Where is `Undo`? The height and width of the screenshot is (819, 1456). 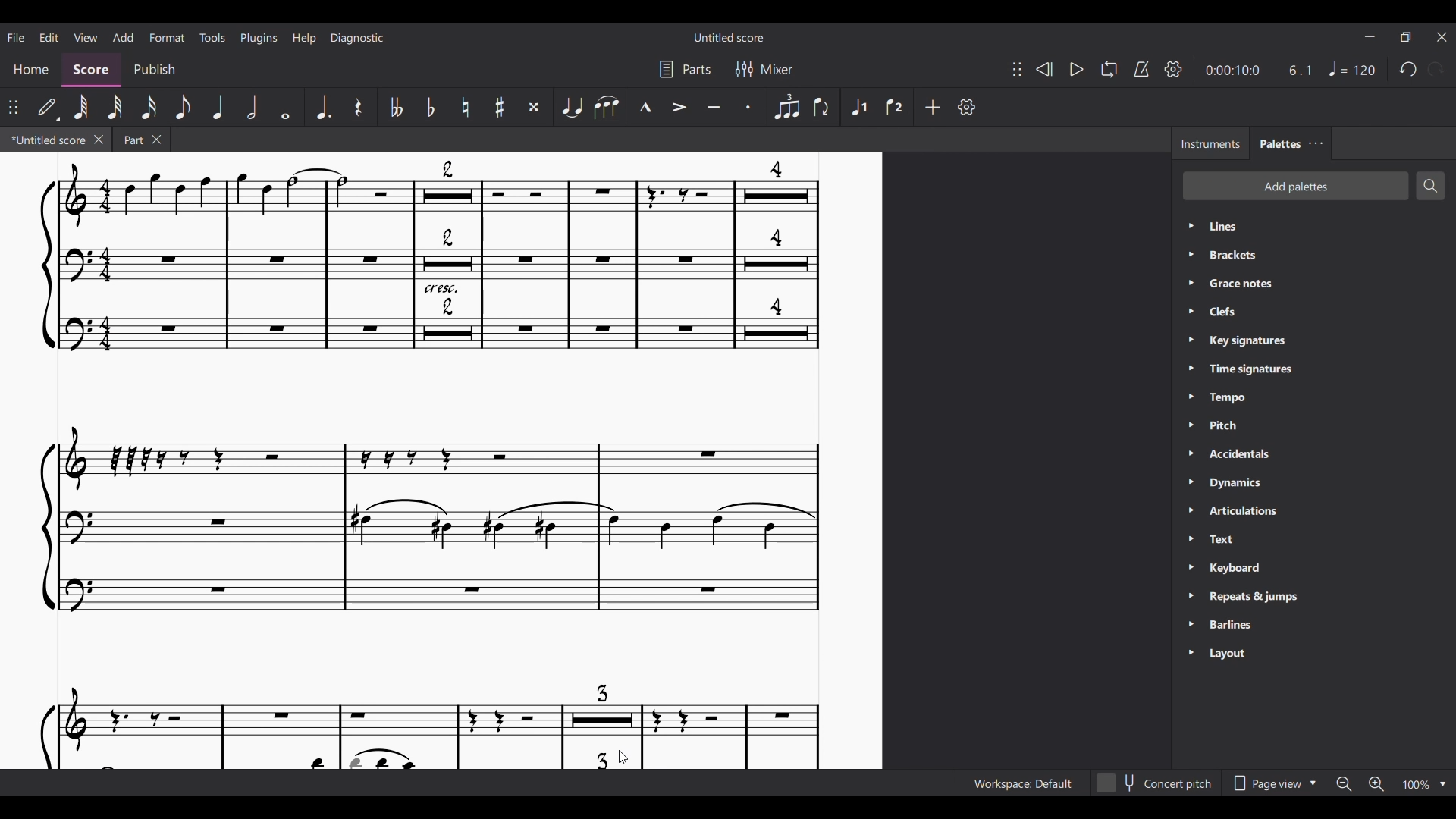
Undo is located at coordinates (1407, 70).